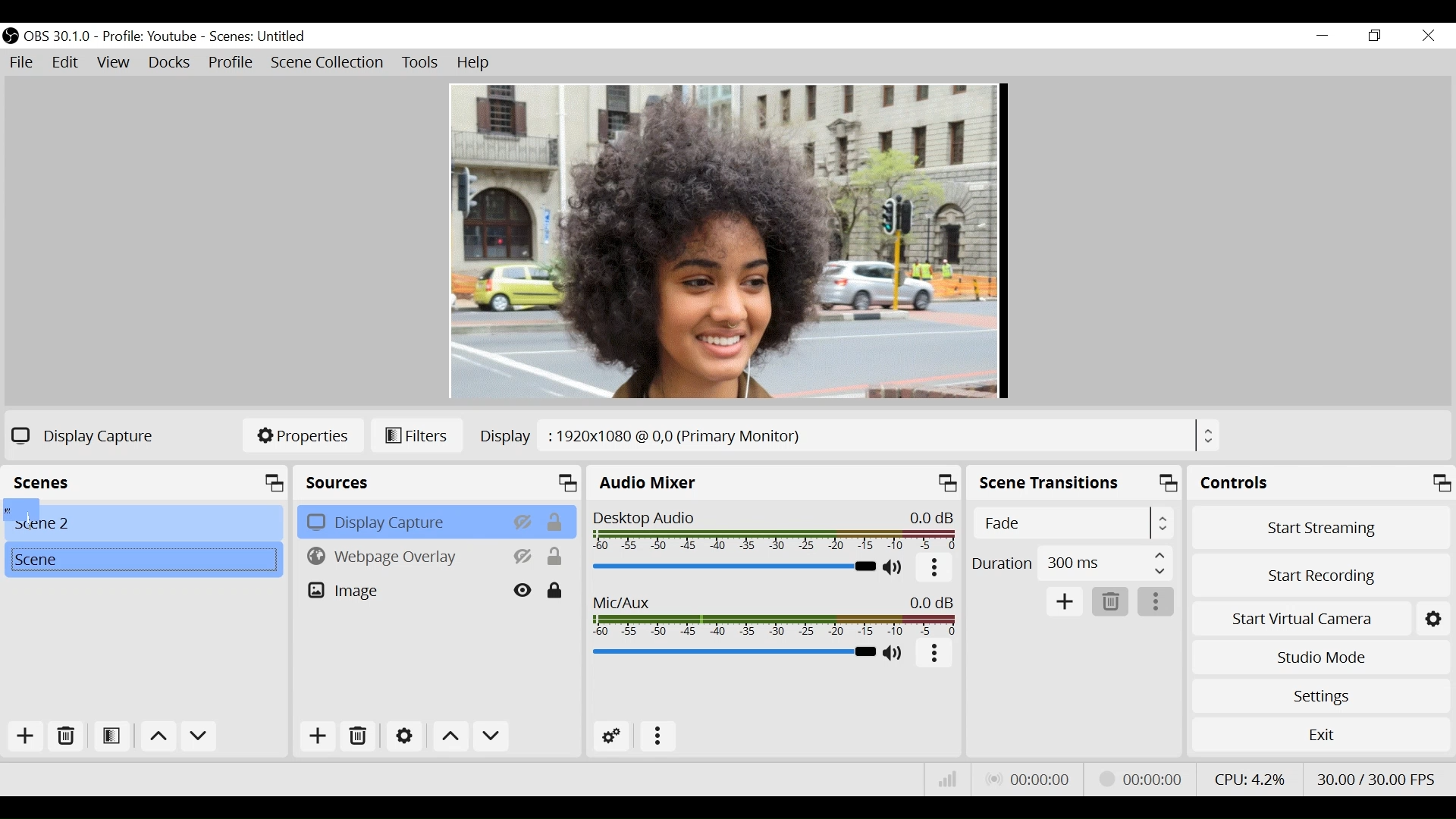 The image size is (1456, 819). I want to click on Advanced Audio Settings, so click(612, 736).